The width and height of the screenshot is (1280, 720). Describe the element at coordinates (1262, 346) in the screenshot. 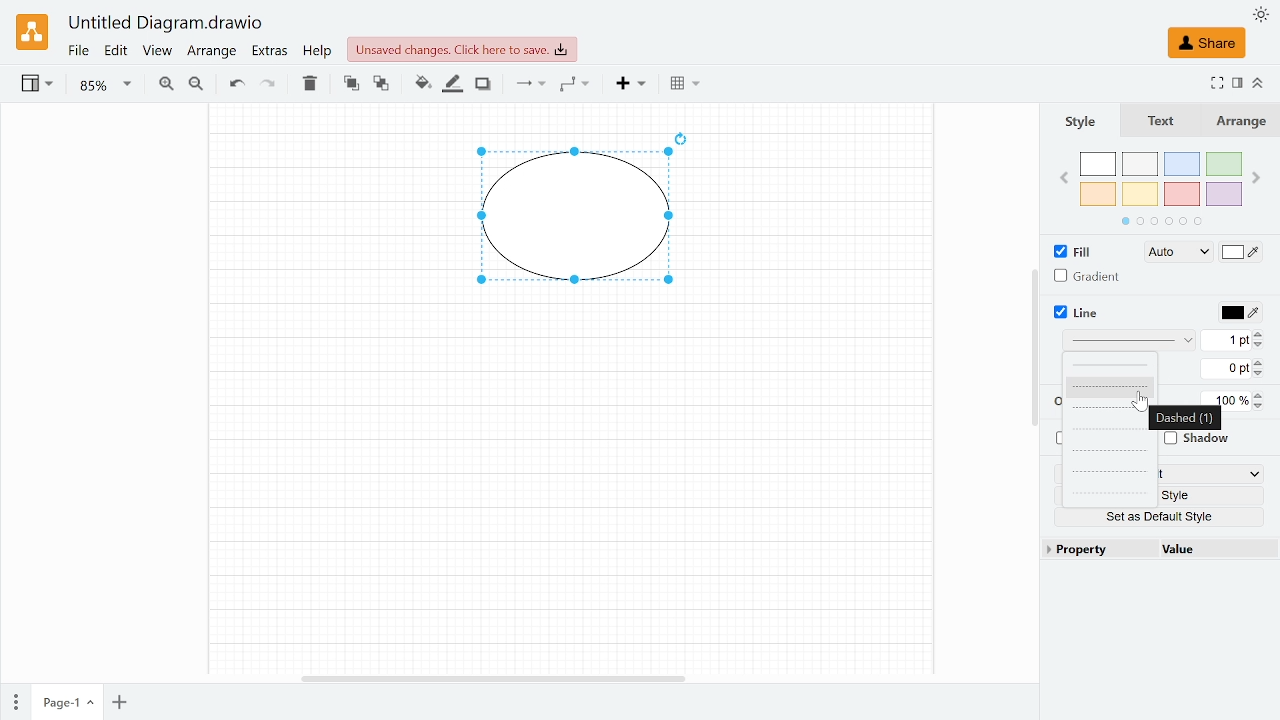

I see `Decrease line width` at that location.